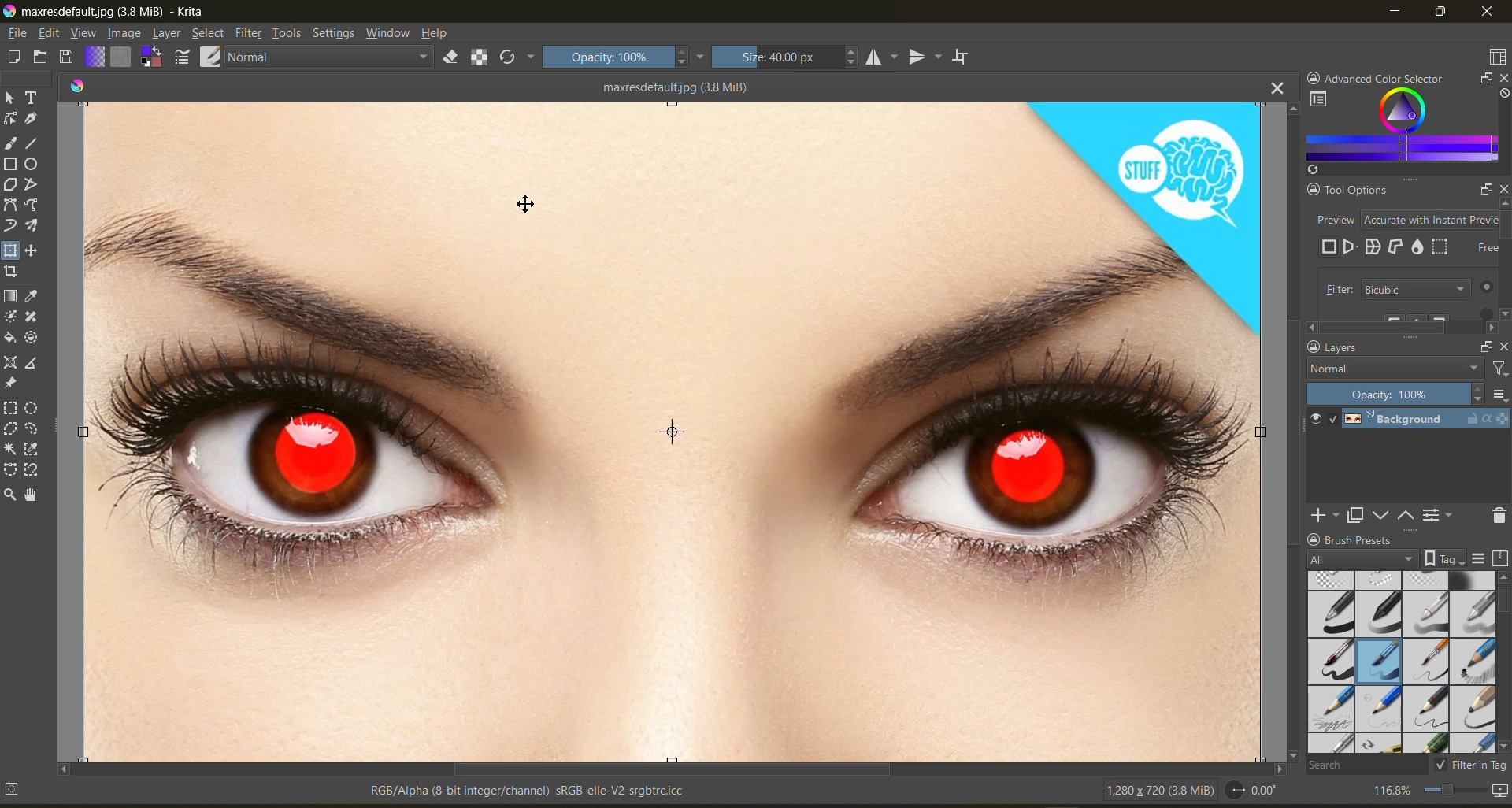 The image size is (1512, 808). I want to click on tool, so click(9, 384).